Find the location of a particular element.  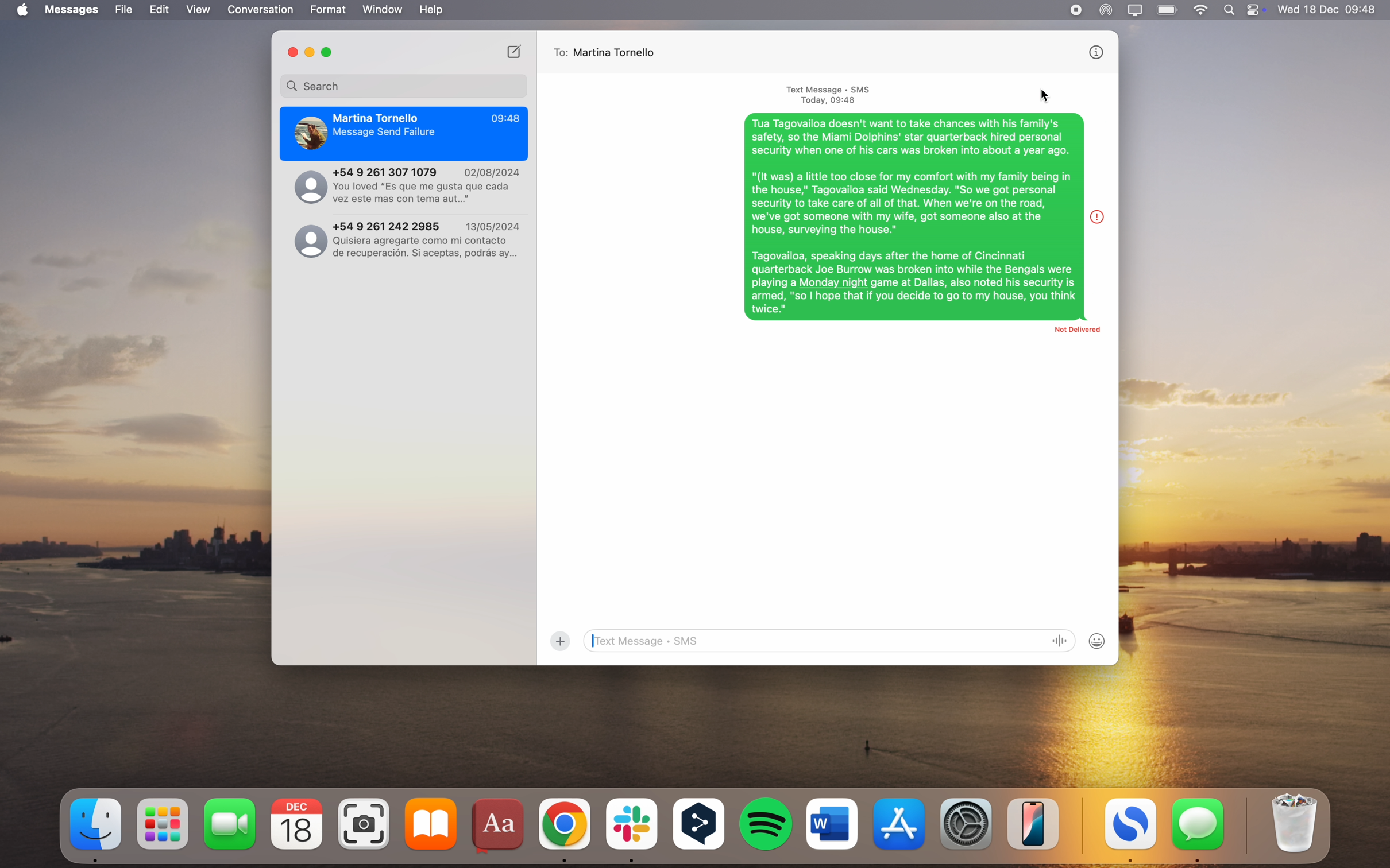

+54 9261242985 is located at coordinates (405, 238).